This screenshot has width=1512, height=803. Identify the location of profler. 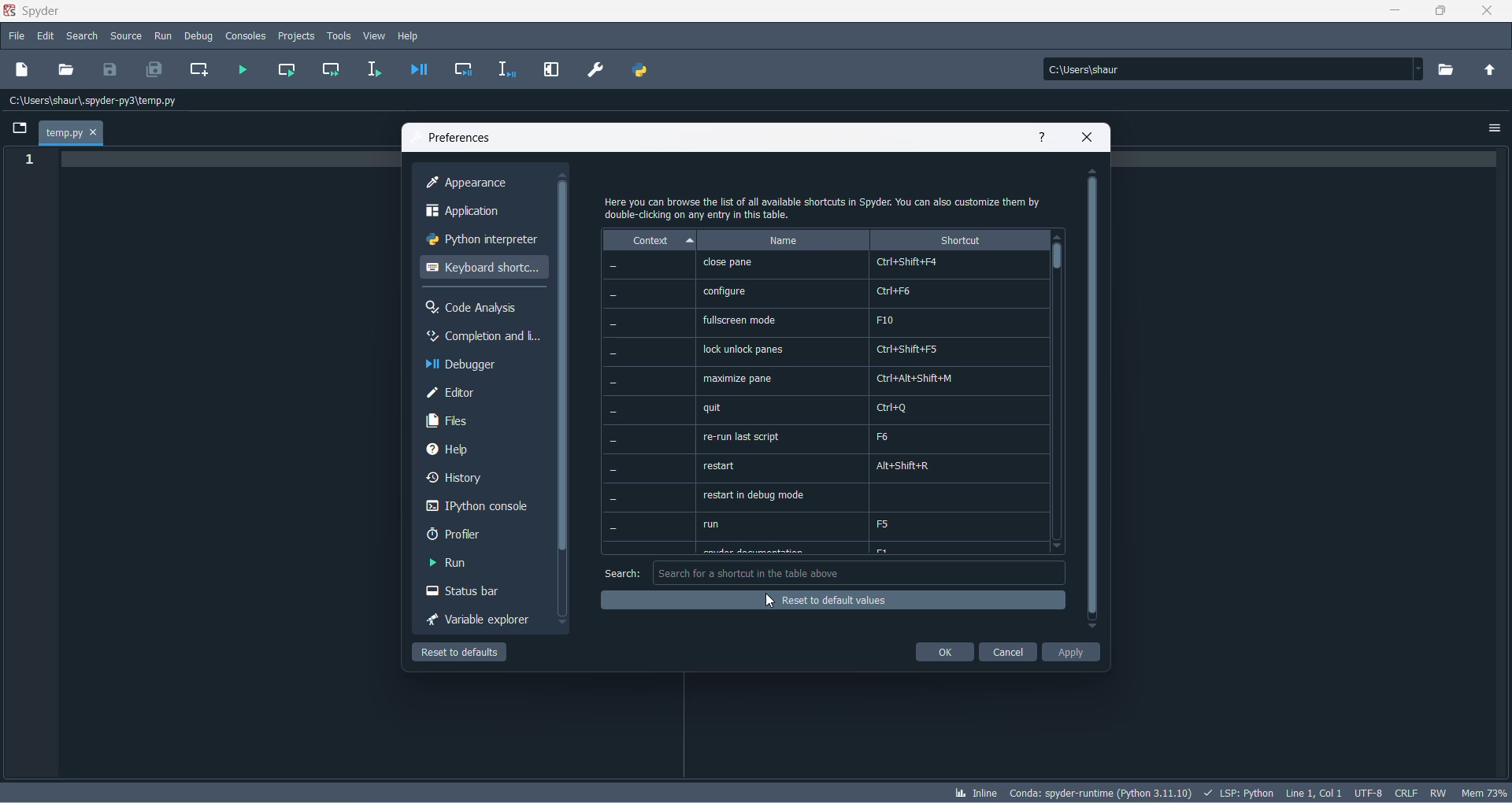
(475, 535).